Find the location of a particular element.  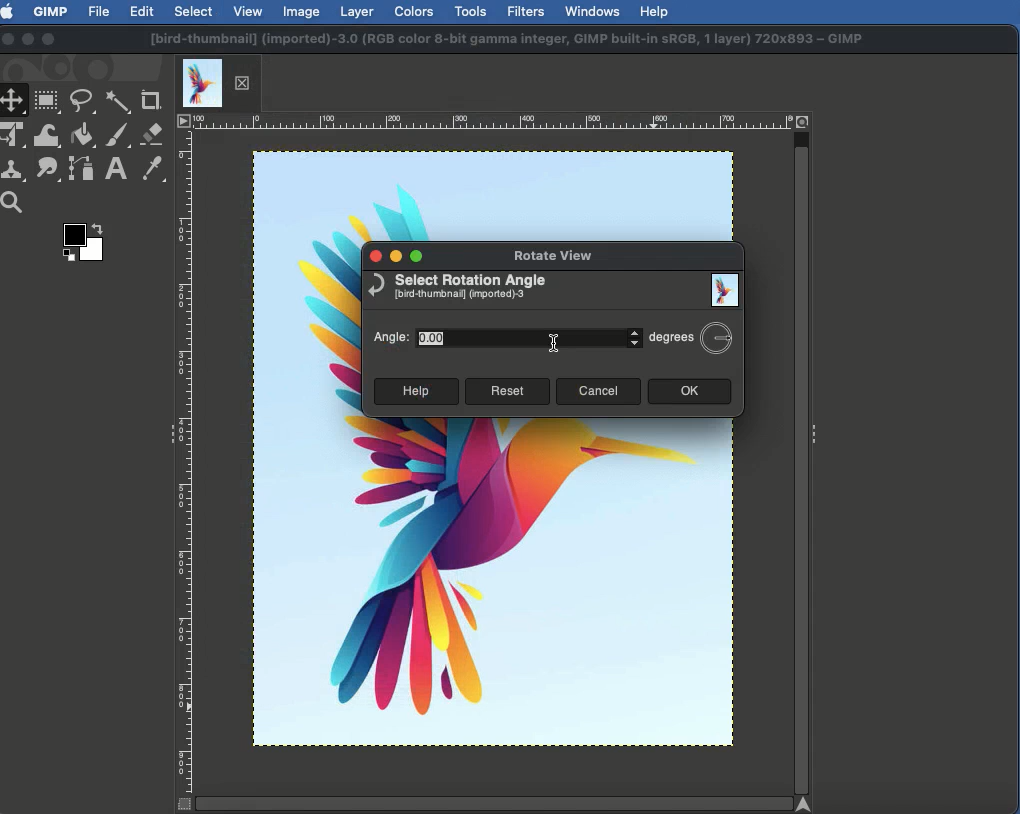

Degrees is located at coordinates (690, 336).